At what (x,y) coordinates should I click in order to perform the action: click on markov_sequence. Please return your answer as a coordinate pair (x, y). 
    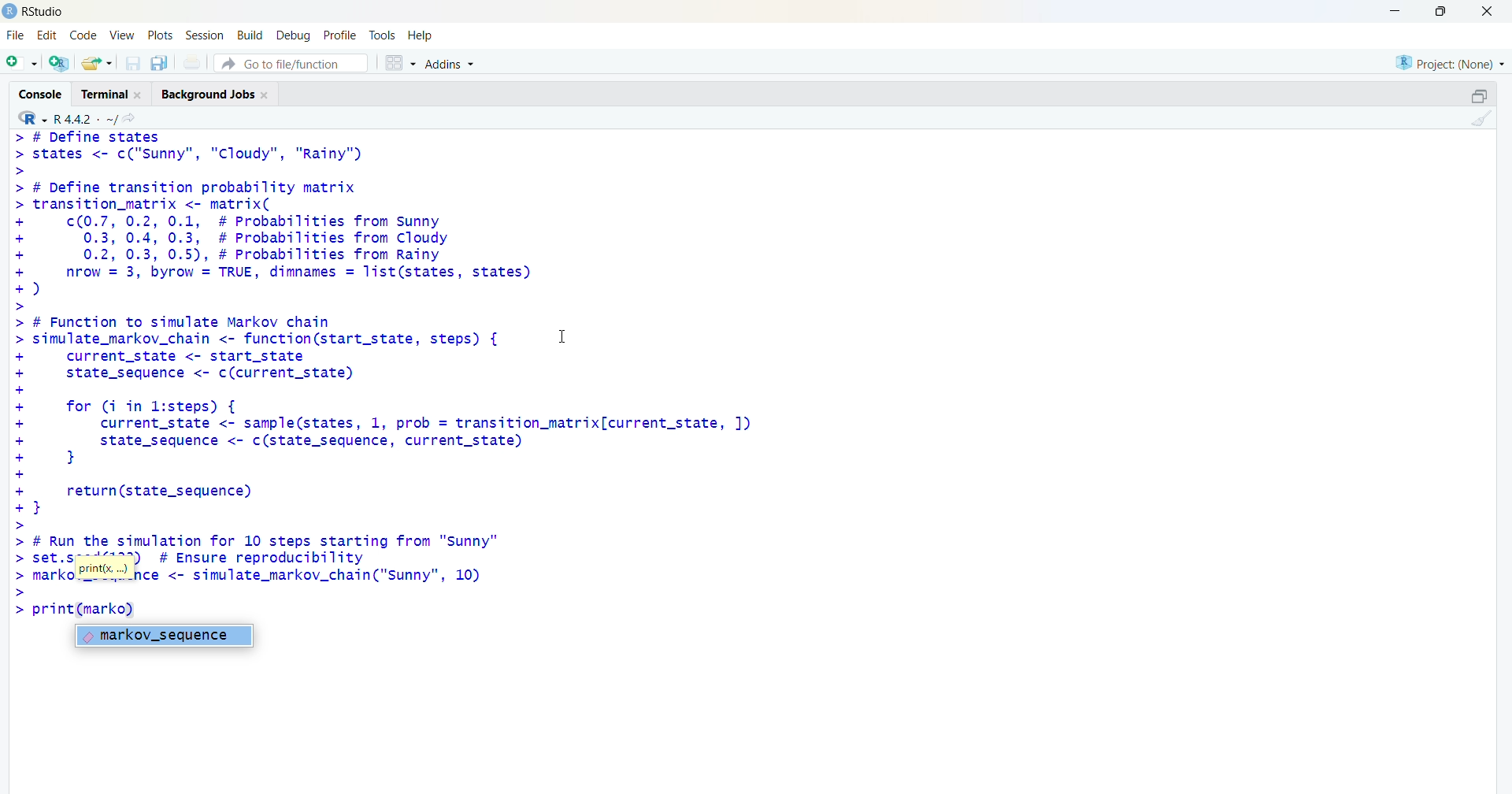
    Looking at the image, I should click on (165, 636).